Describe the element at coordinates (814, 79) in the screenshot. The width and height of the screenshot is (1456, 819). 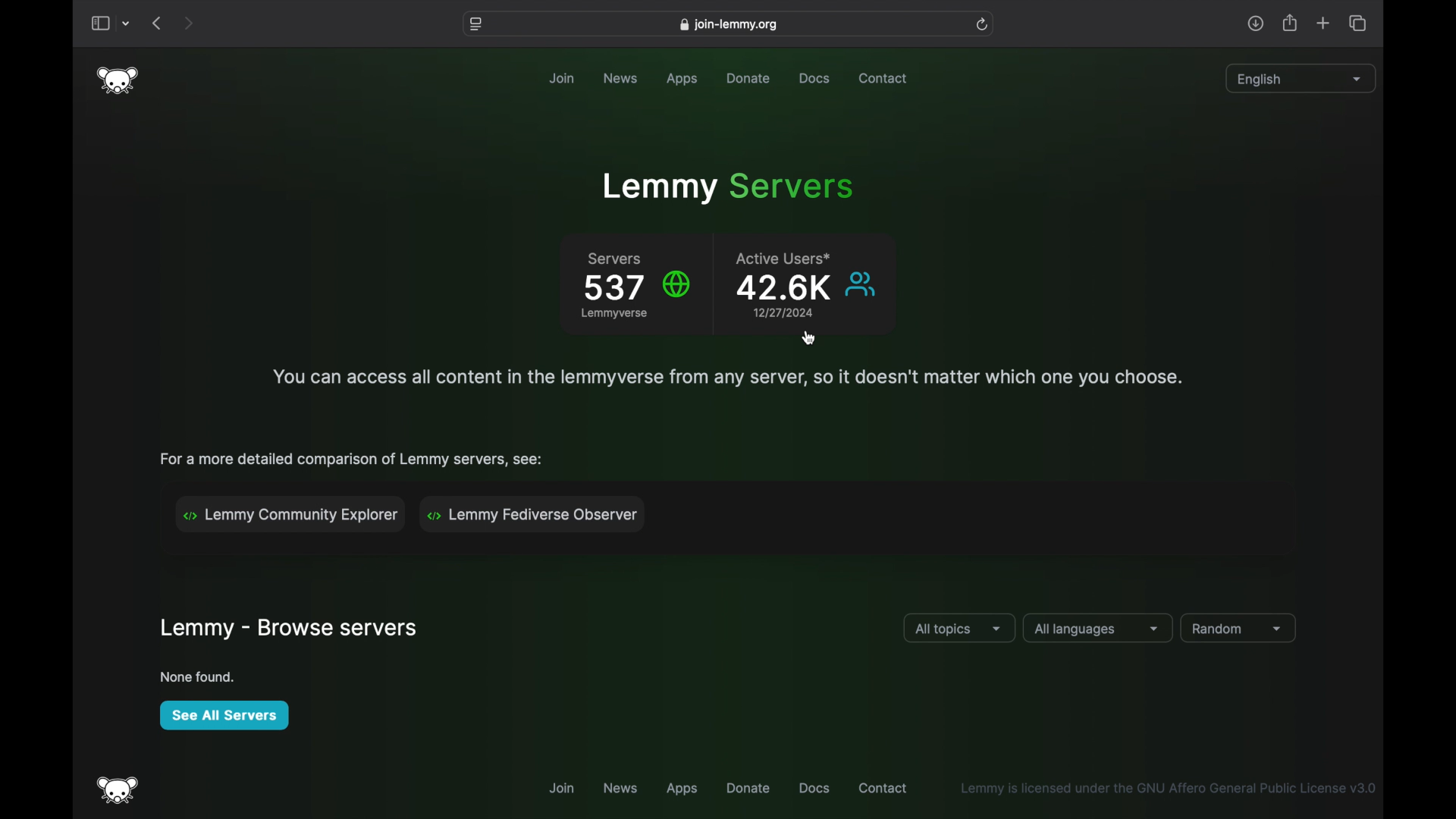
I see `docs` at that location.